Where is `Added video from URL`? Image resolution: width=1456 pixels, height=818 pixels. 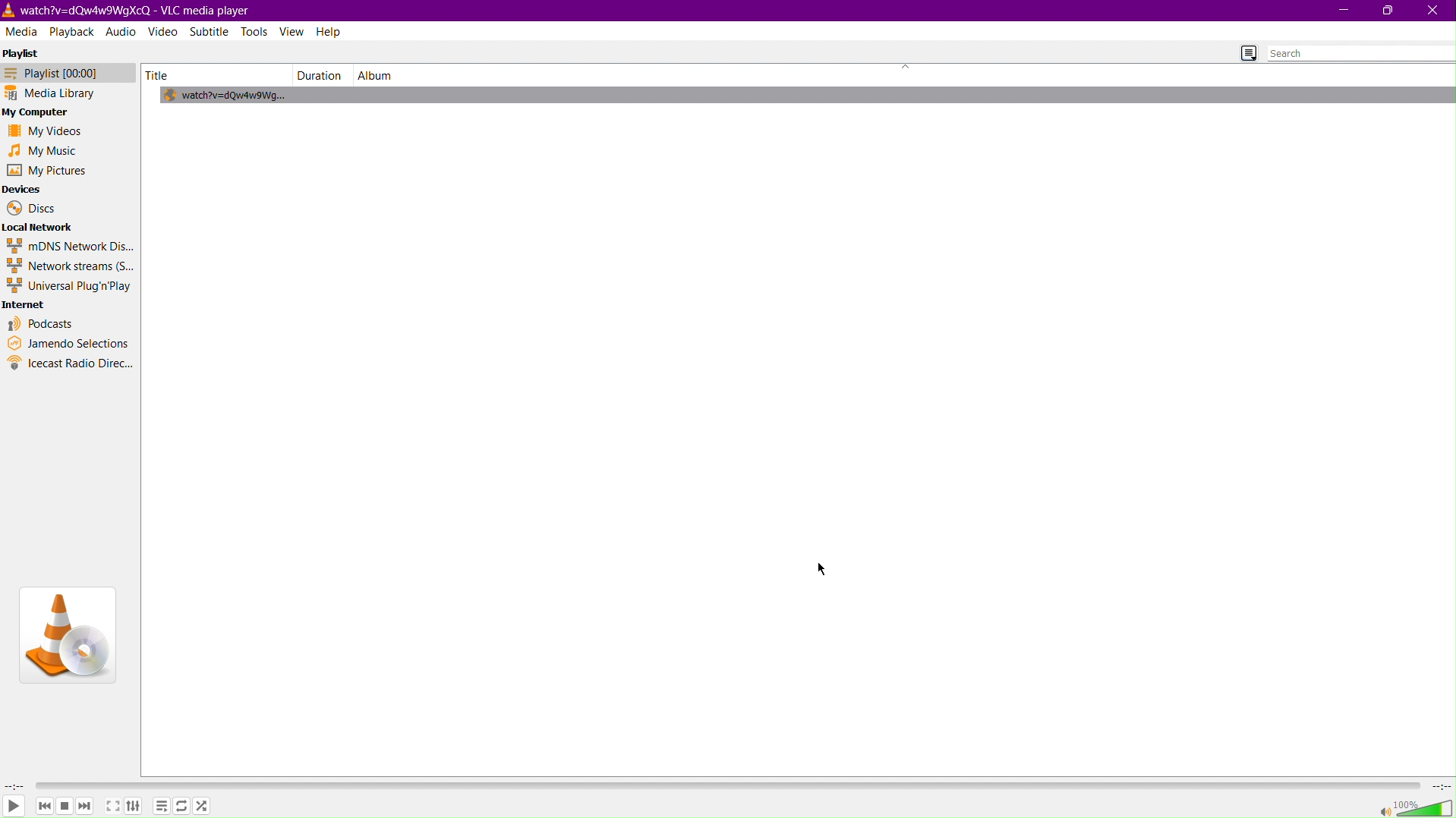
Added video from URL is located at coordinates (240, 96).